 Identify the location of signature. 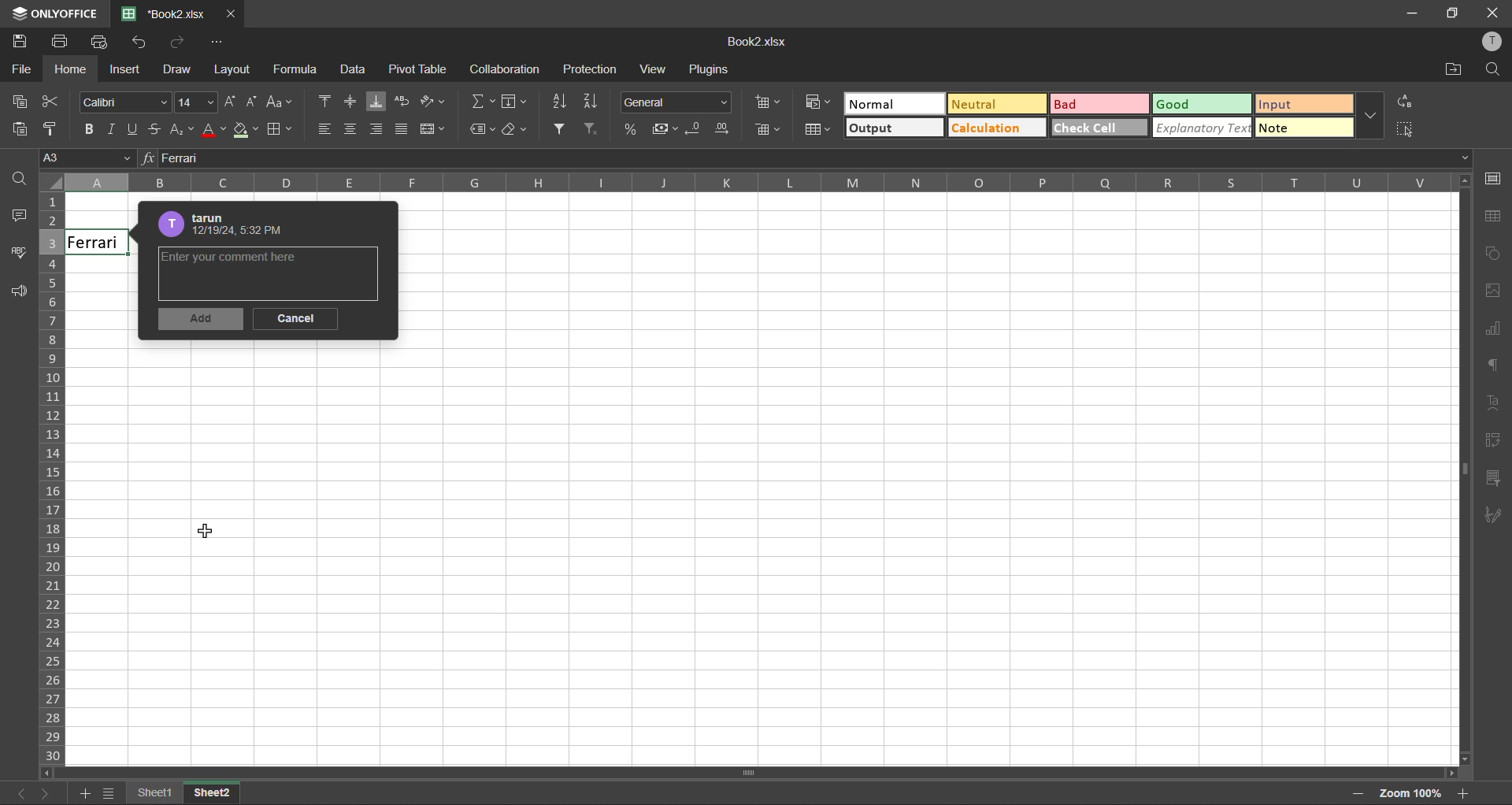
(1496, 515).